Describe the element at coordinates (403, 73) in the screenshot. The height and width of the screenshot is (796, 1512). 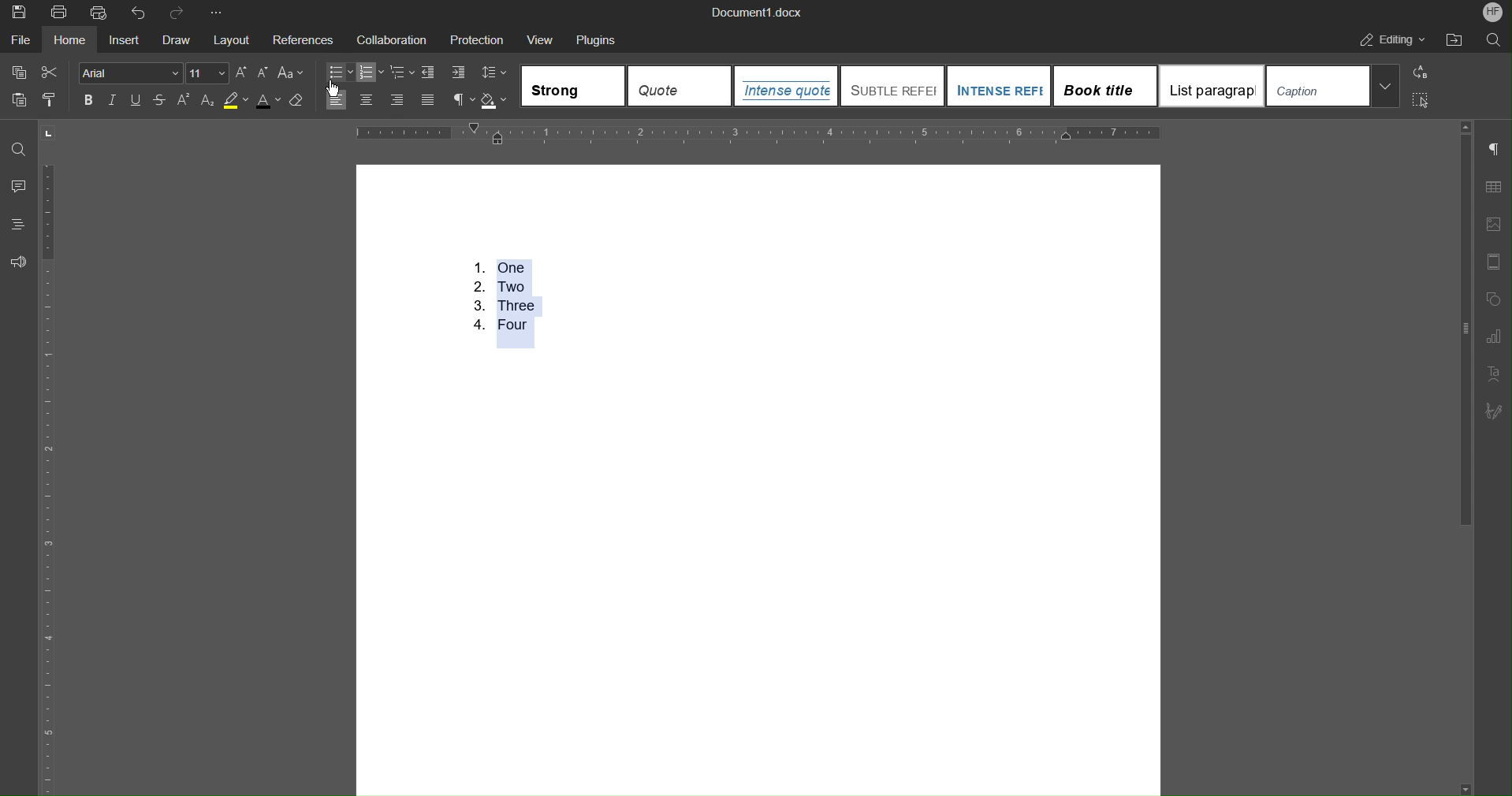
I see `Nested List` at that location.